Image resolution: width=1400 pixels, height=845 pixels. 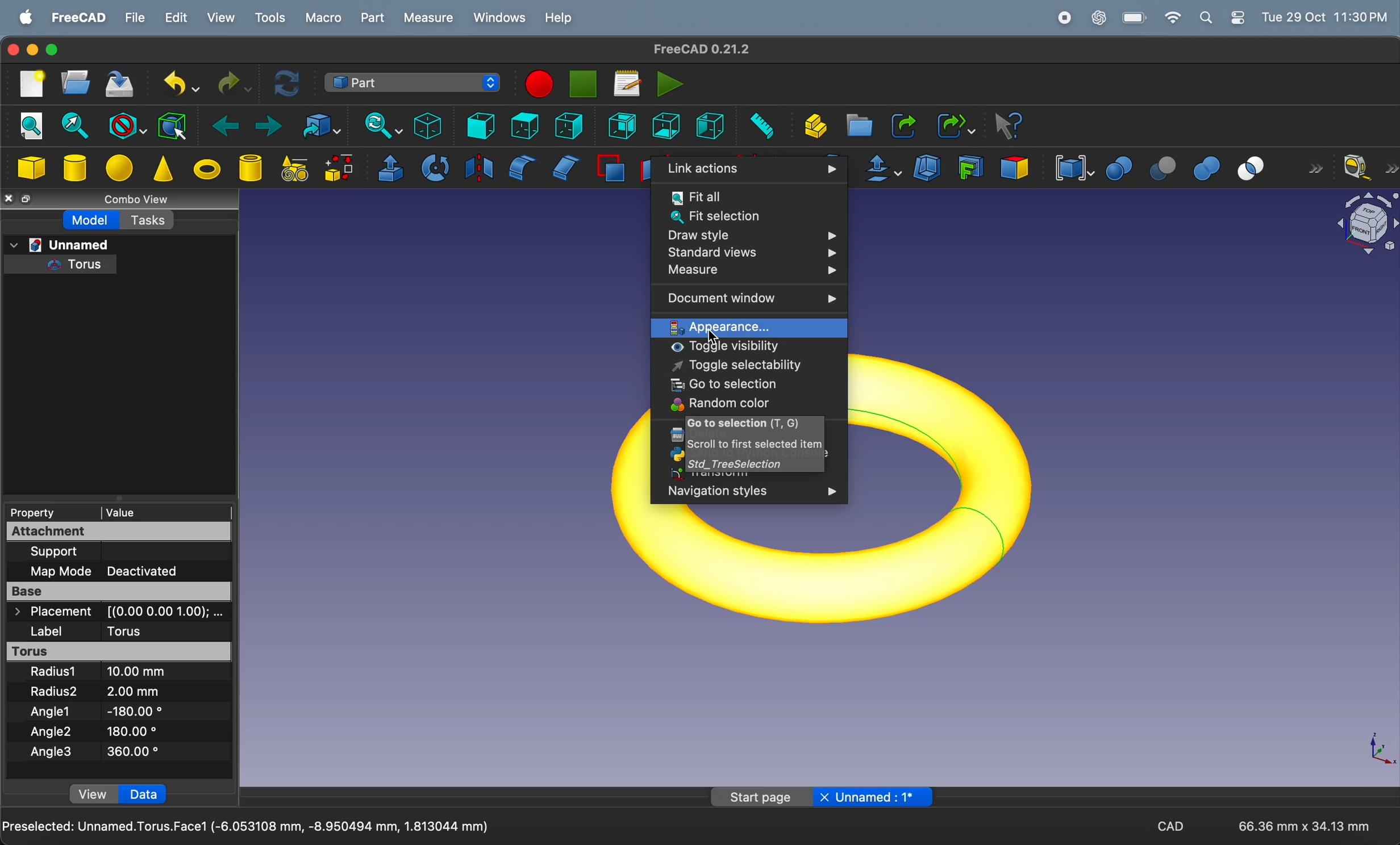 I want to click on redo, so click(x=232, y=81).